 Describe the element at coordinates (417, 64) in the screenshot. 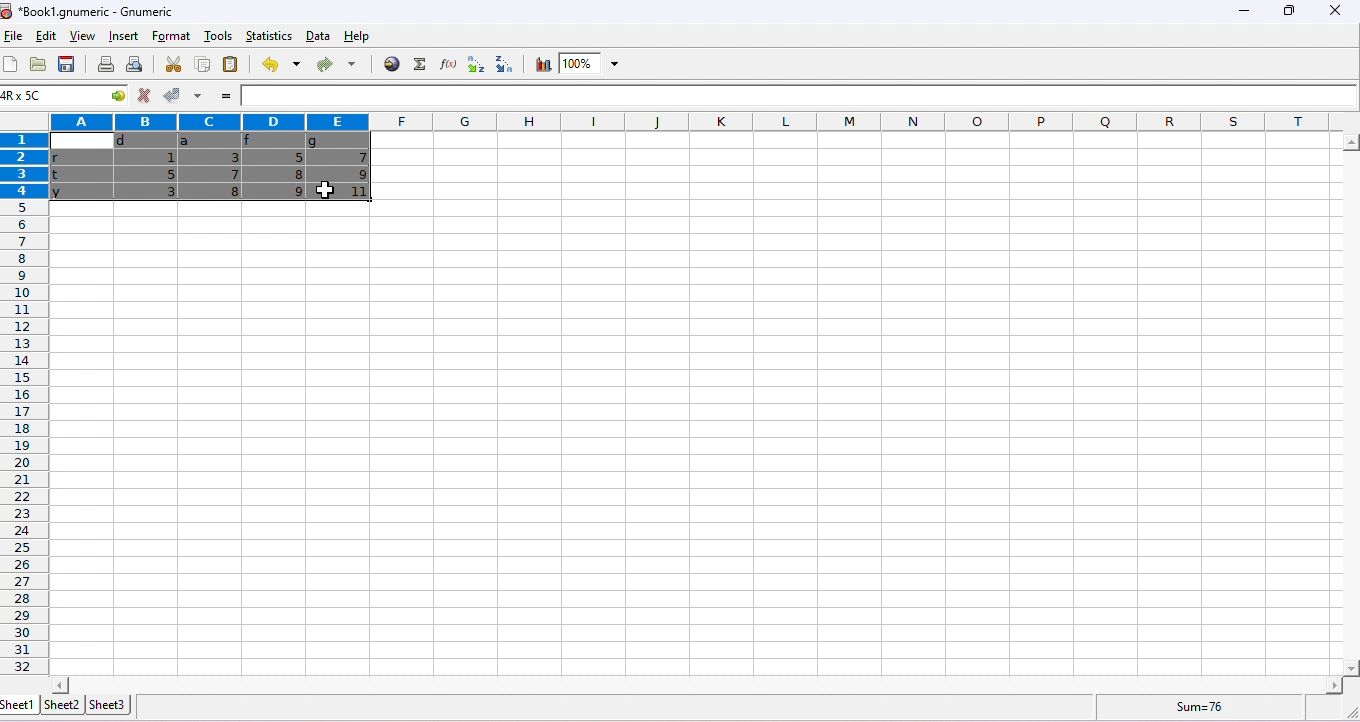

I see `function` at that location.